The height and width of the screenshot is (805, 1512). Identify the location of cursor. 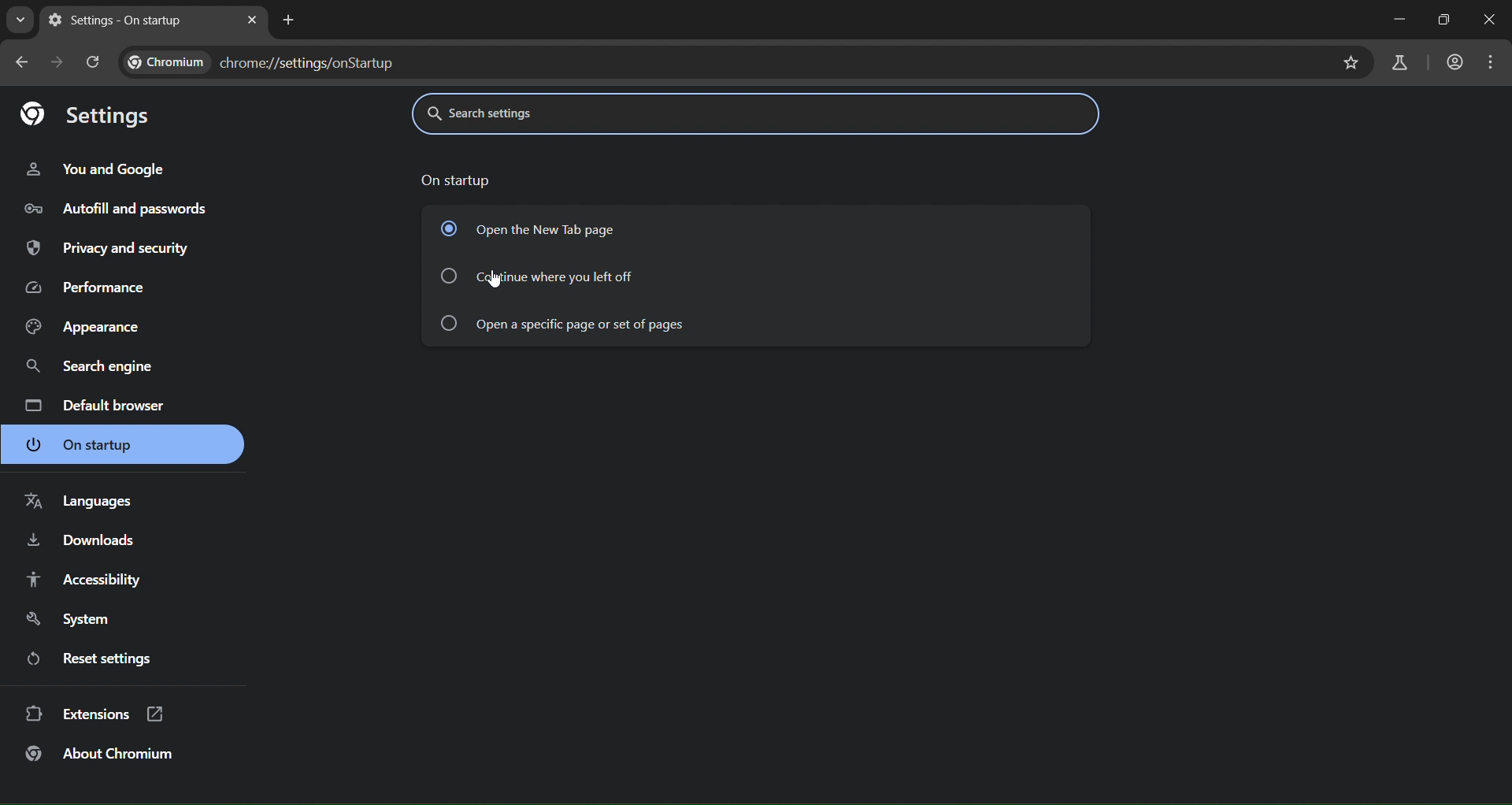
(498, 282).